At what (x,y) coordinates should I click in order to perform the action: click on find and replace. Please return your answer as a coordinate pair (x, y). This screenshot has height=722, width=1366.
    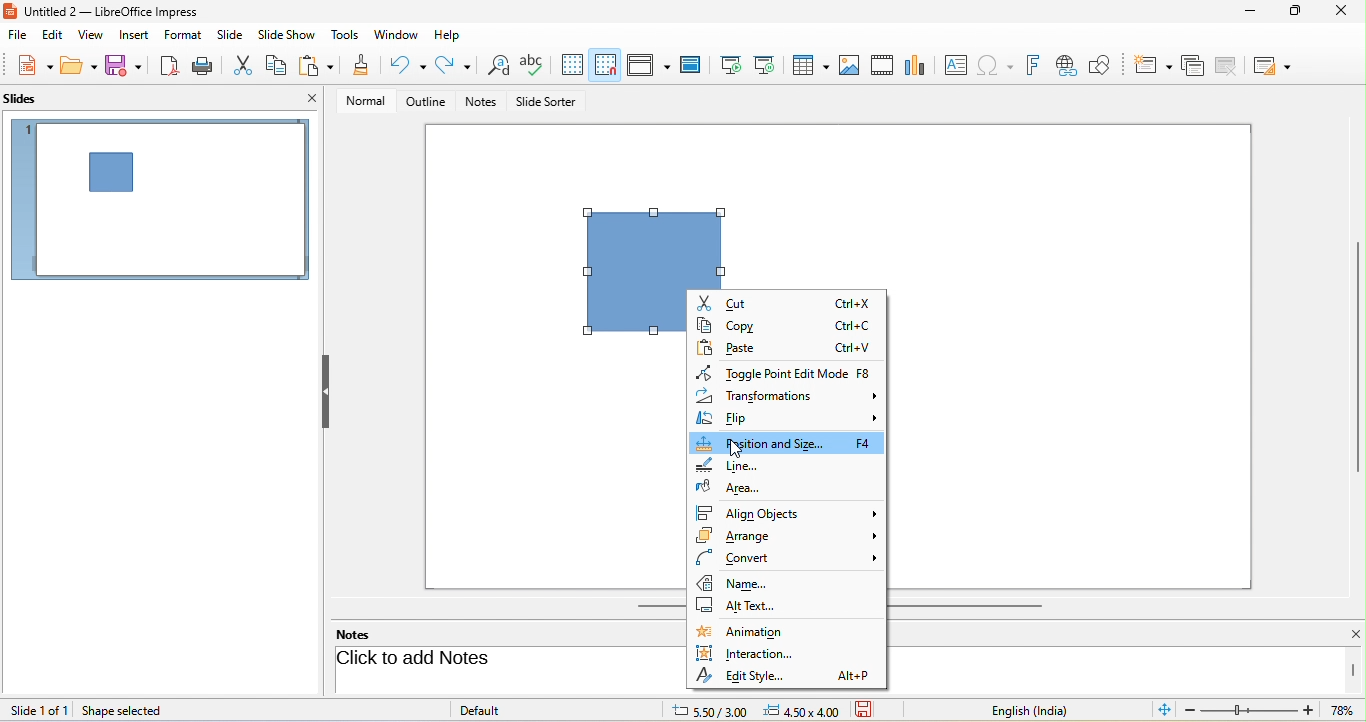
    Looking at the image, I should click on (496, 67).